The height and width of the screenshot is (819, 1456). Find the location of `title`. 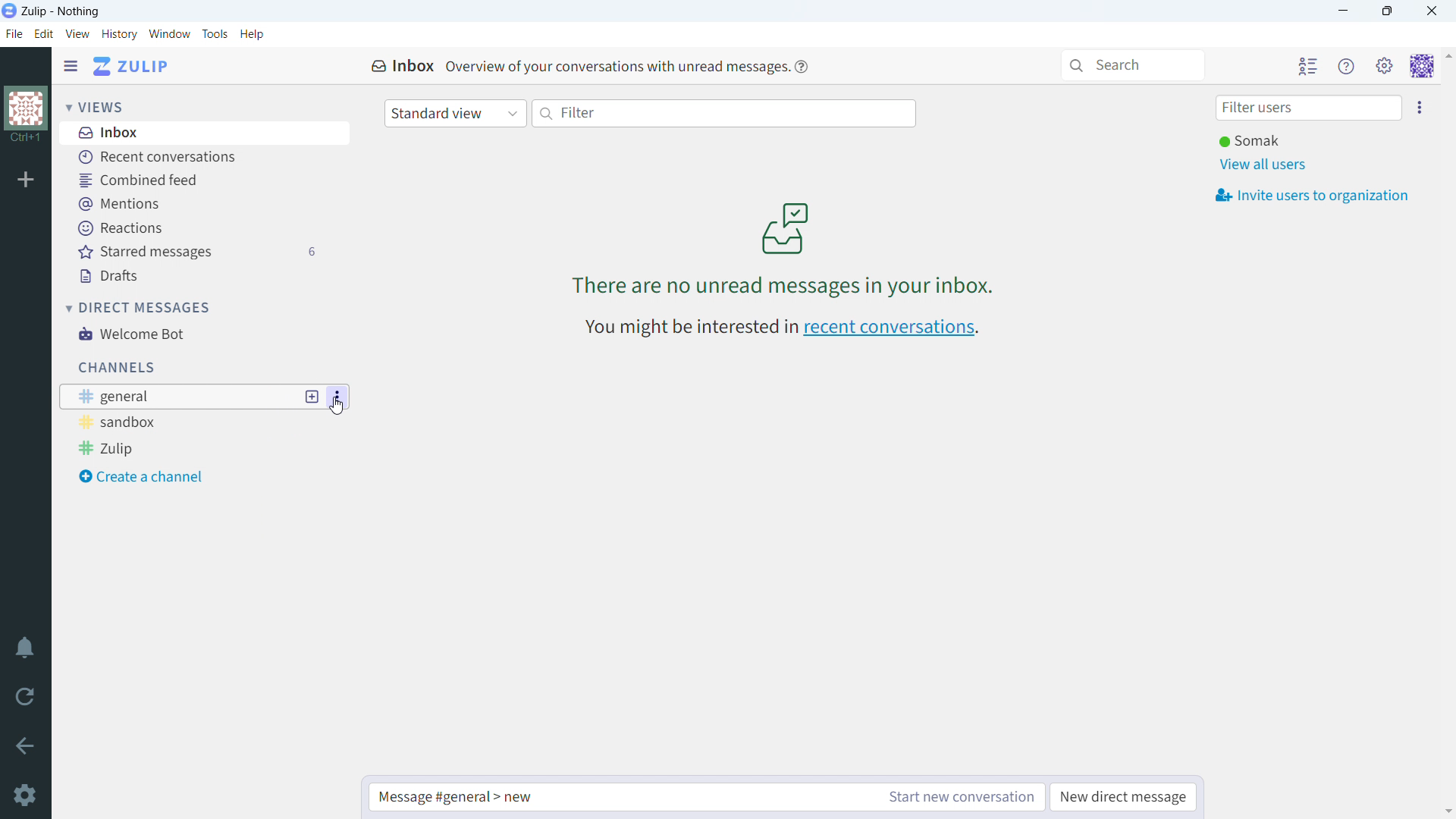

title is located at coordinates (61, 11).